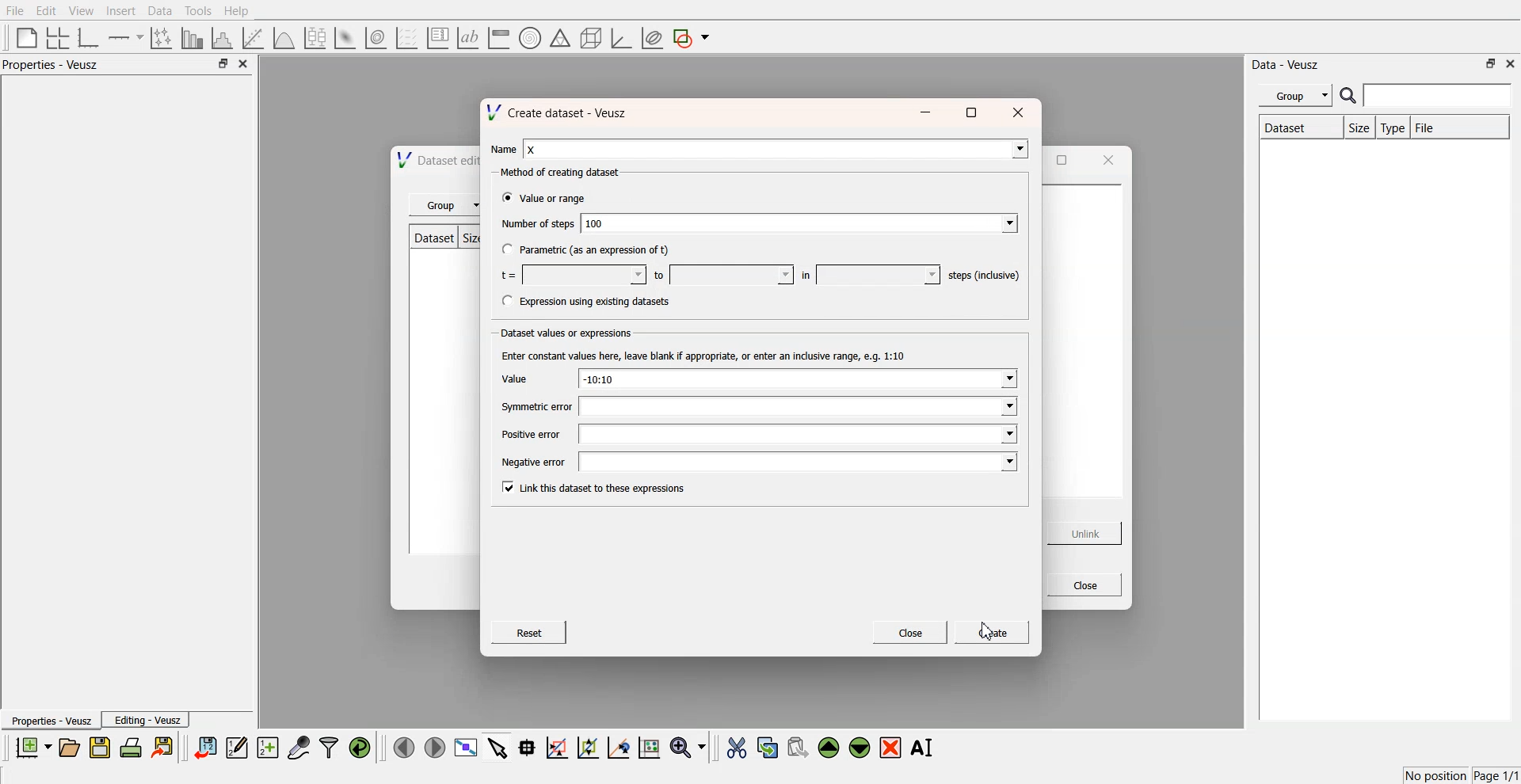 This screenshot has height=784, width=1521. I want to click on zoom out the graph axes, so click(586, 747).